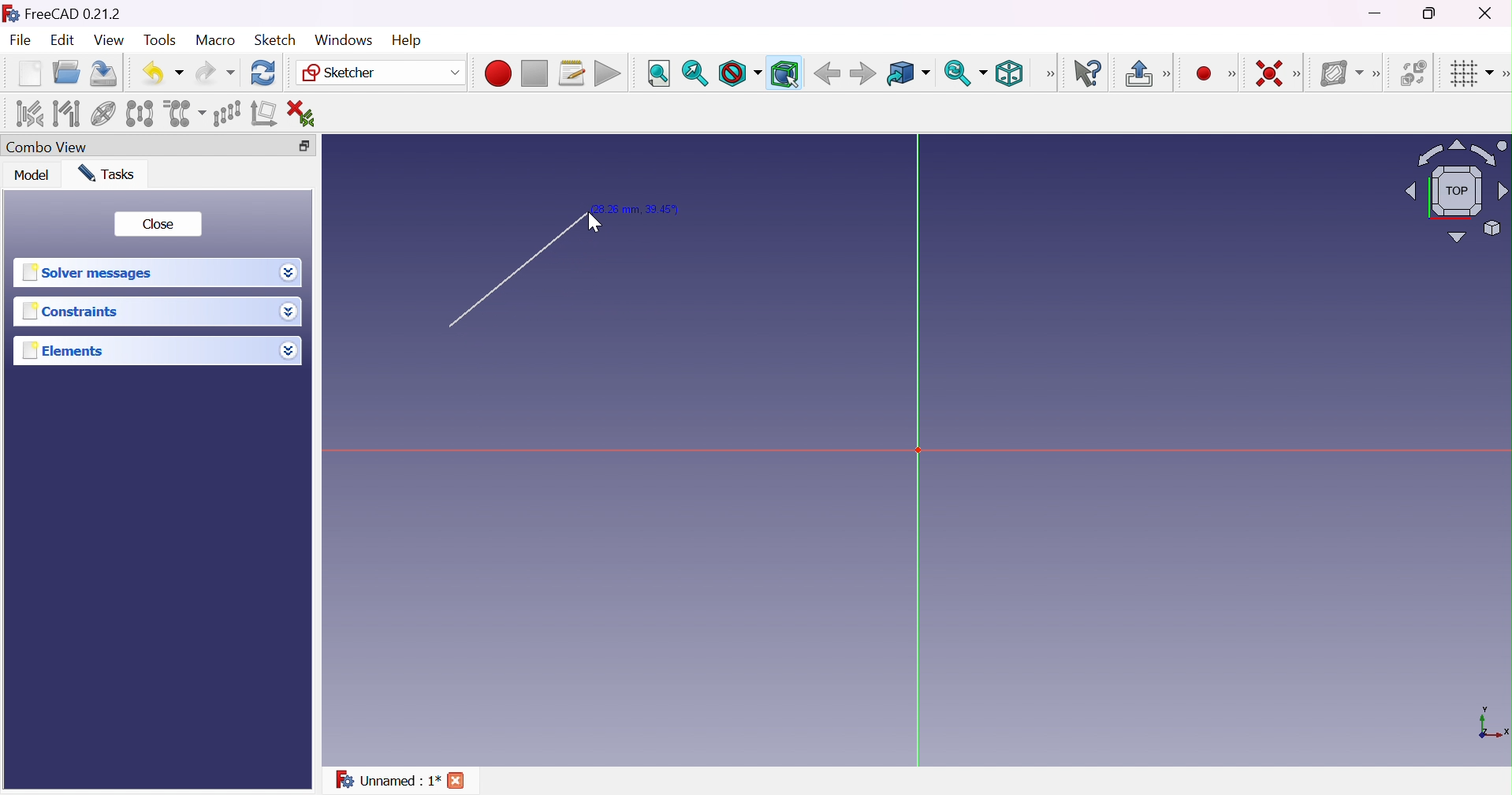  I want to click on 2D Line, so click(508, 276).